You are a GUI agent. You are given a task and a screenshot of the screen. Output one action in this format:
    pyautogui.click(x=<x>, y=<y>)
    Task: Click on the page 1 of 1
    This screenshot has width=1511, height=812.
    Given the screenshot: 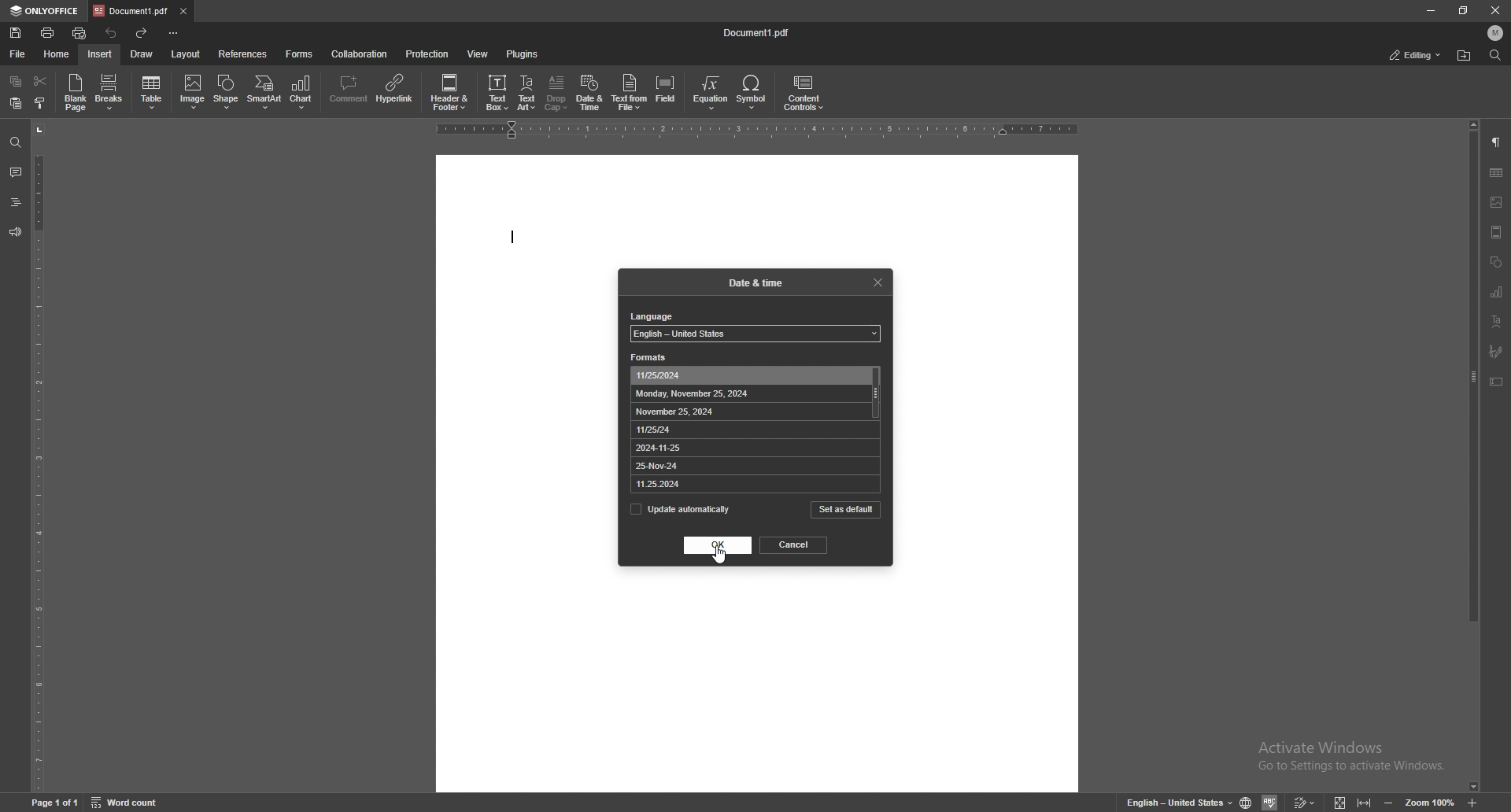 What is the action you would take?
    pyautogui.click(x=54, y=803)
    